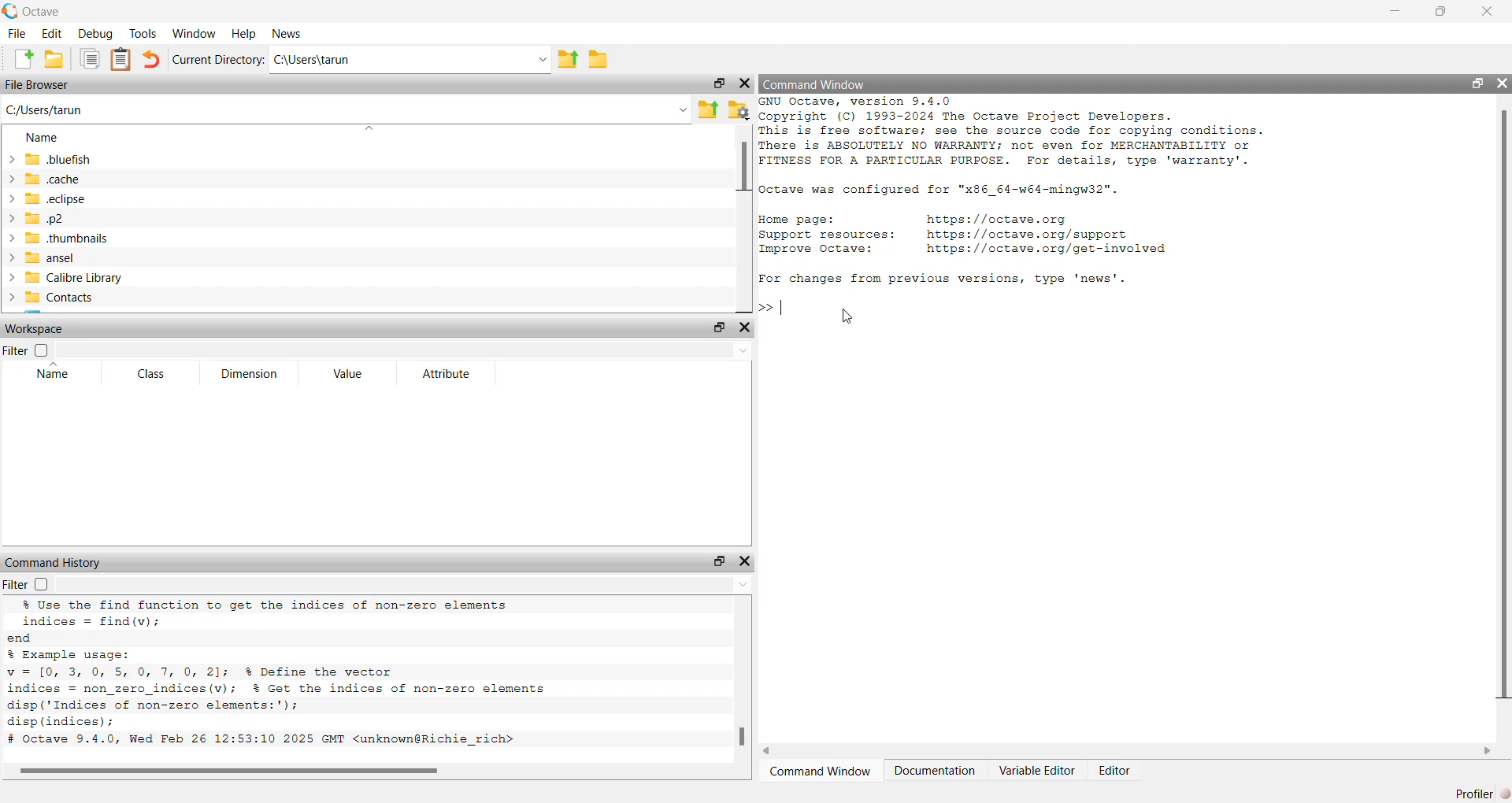 The height and width of the screenshot is (803, 1512). Describe the element at coordinates (50, 199) in the screenshot. I see `eclipse` at that location.